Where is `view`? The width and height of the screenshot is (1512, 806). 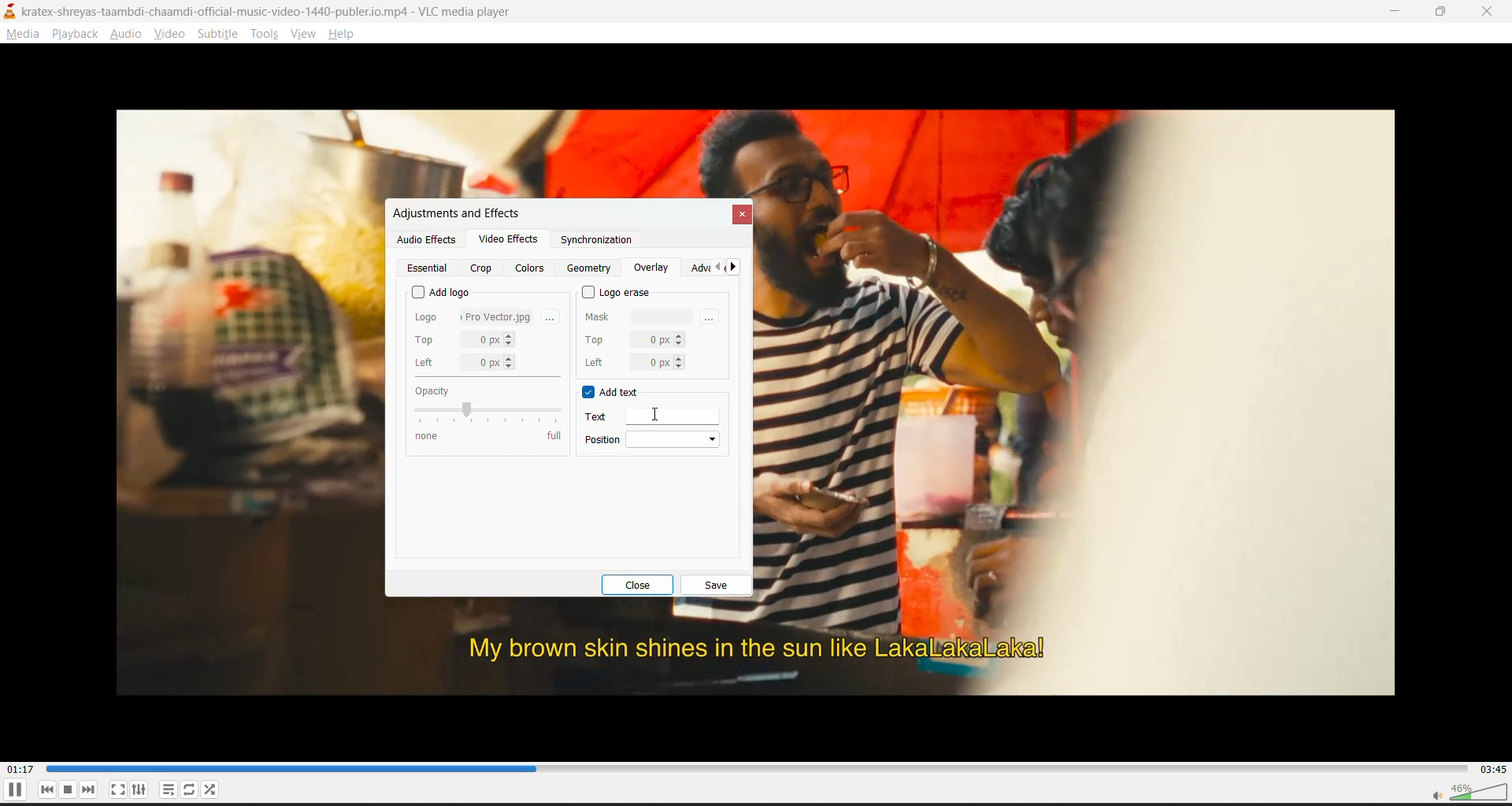
view is located at coordinates (305, 35).